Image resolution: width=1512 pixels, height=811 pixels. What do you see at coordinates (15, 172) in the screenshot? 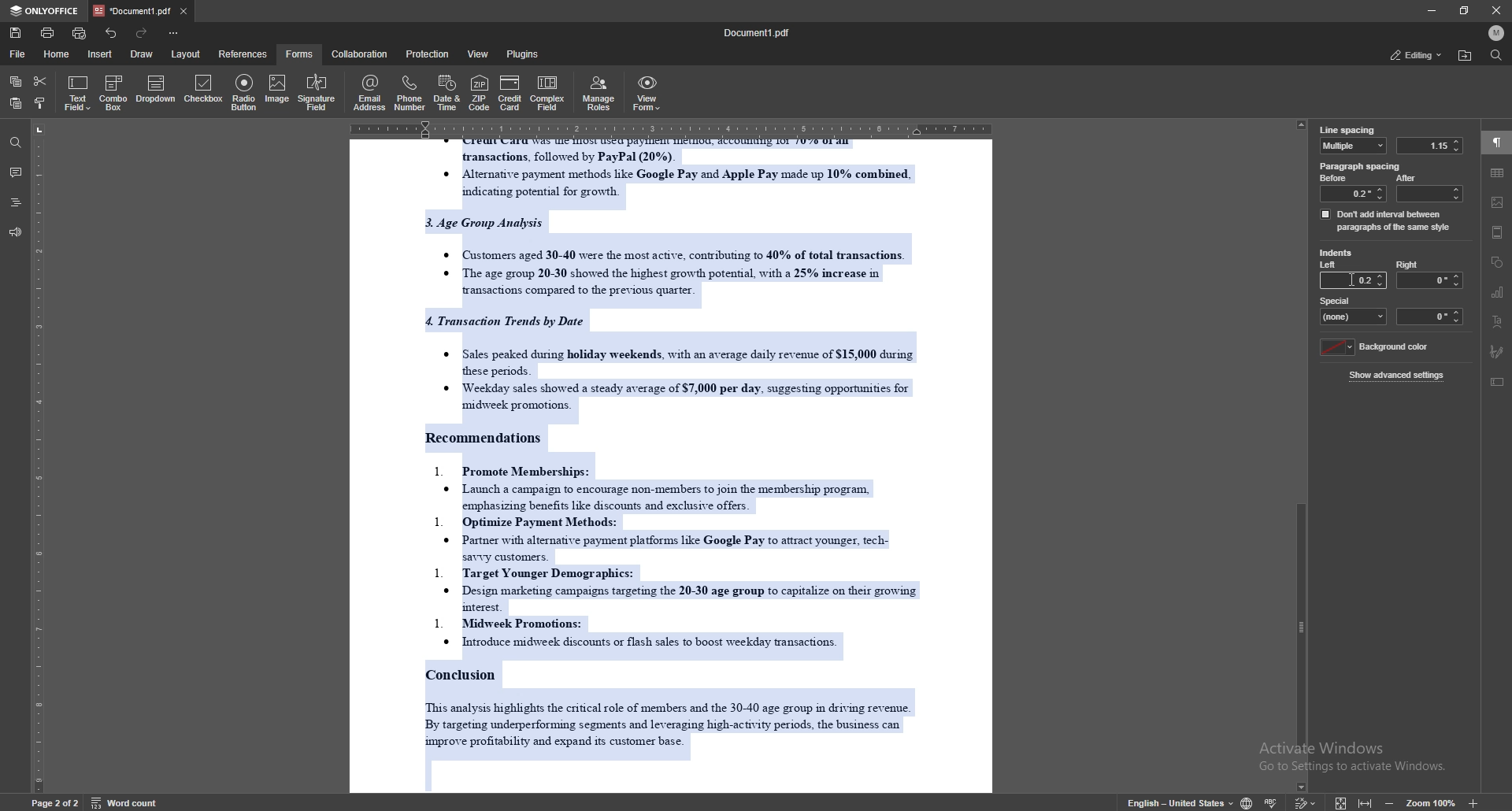
I see `comment` at bounding box center [15, 172].